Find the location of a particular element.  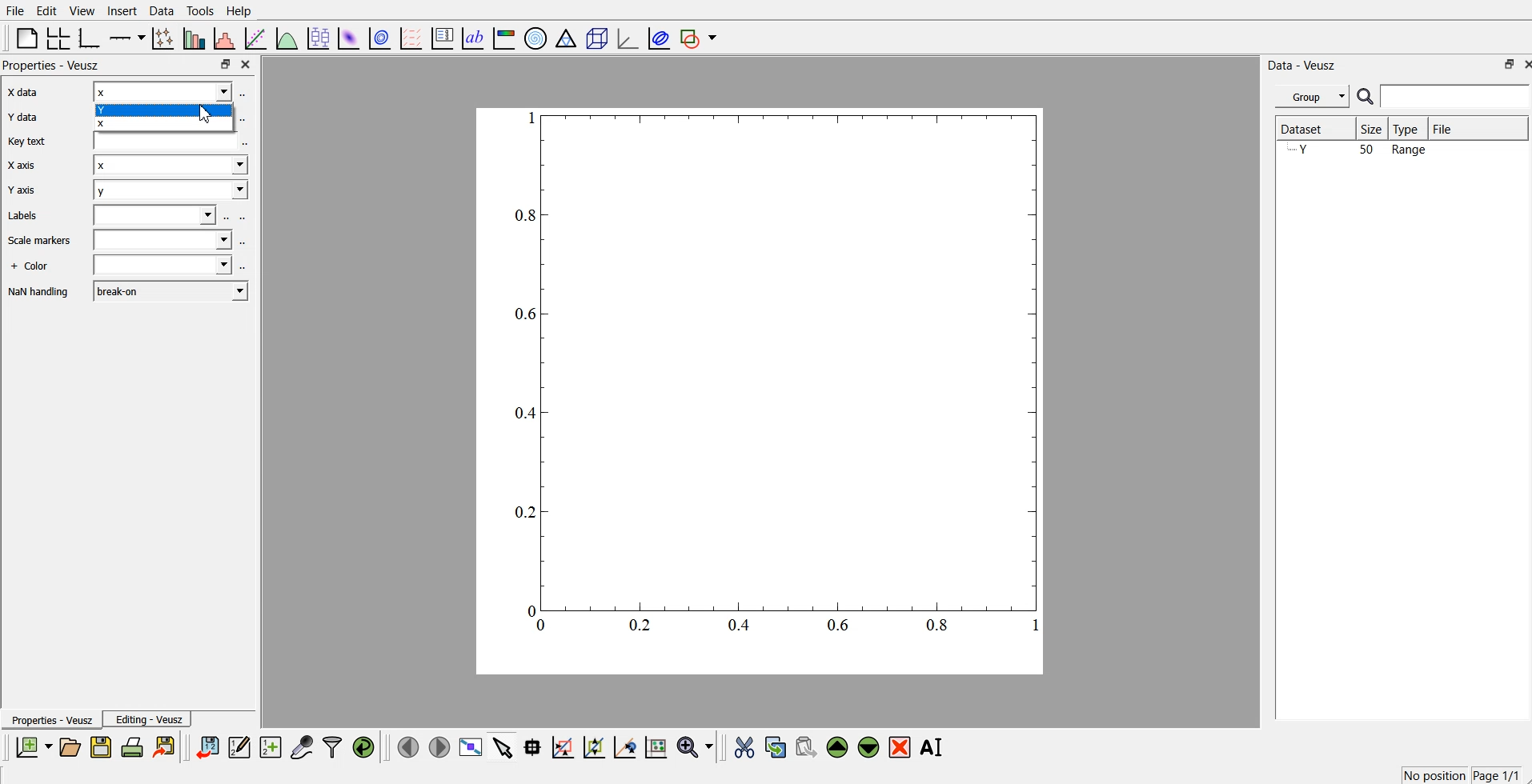

create new datasets is located at coordinates (271, 748).